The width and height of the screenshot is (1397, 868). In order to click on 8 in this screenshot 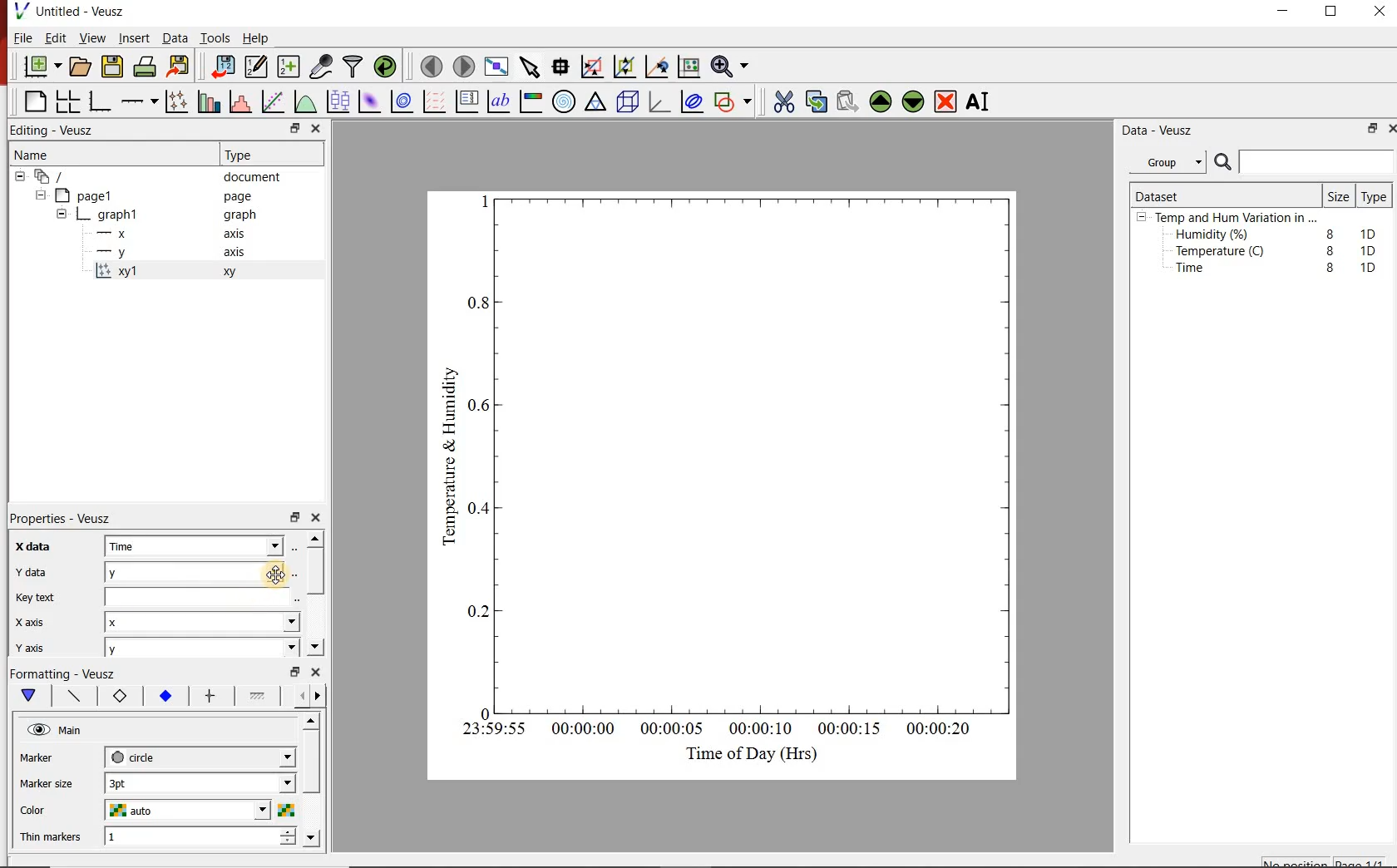, I will do `click(1327, 249)`.